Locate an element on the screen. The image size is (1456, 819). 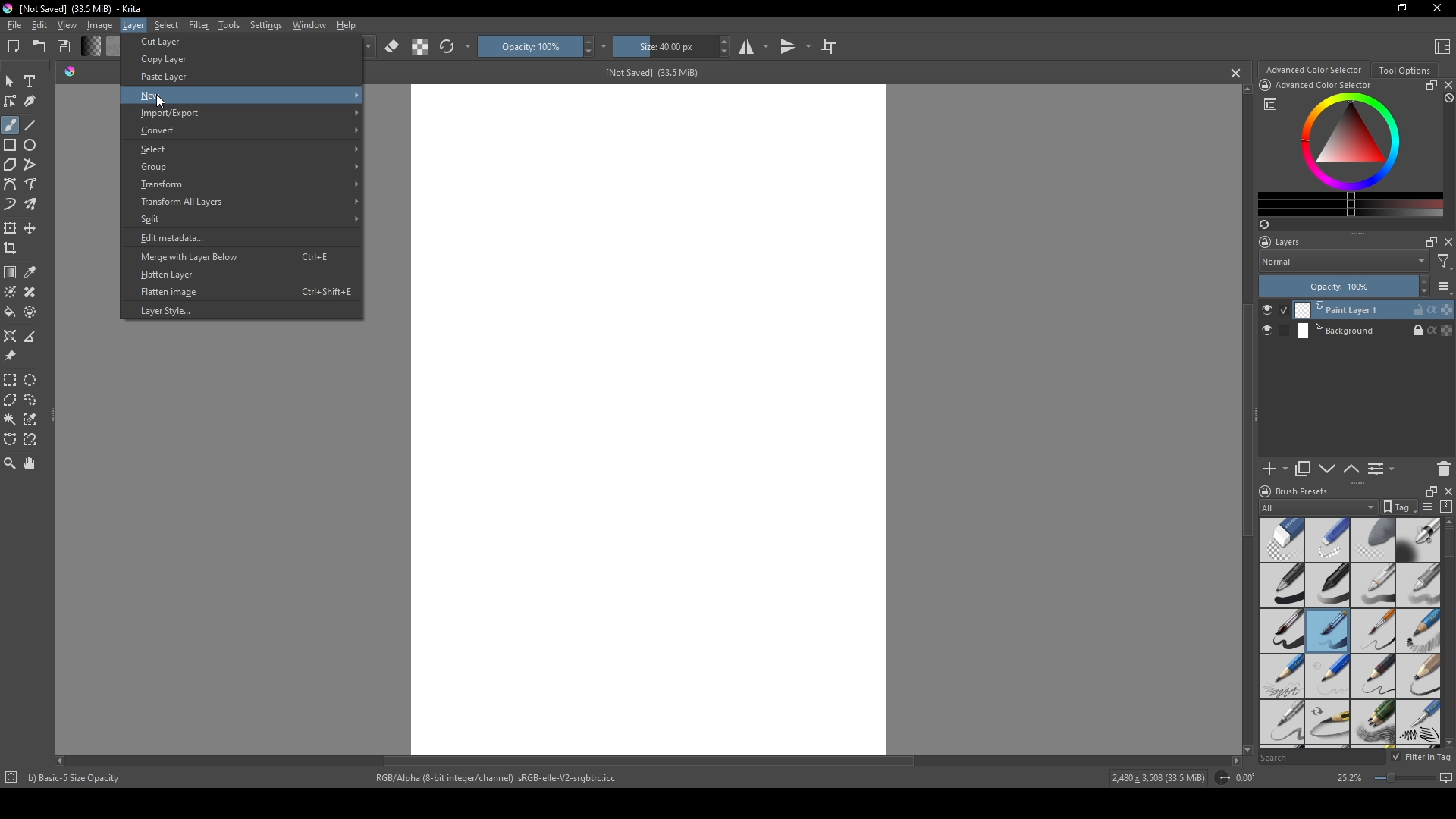
logo is located at coordinates (9, 8).